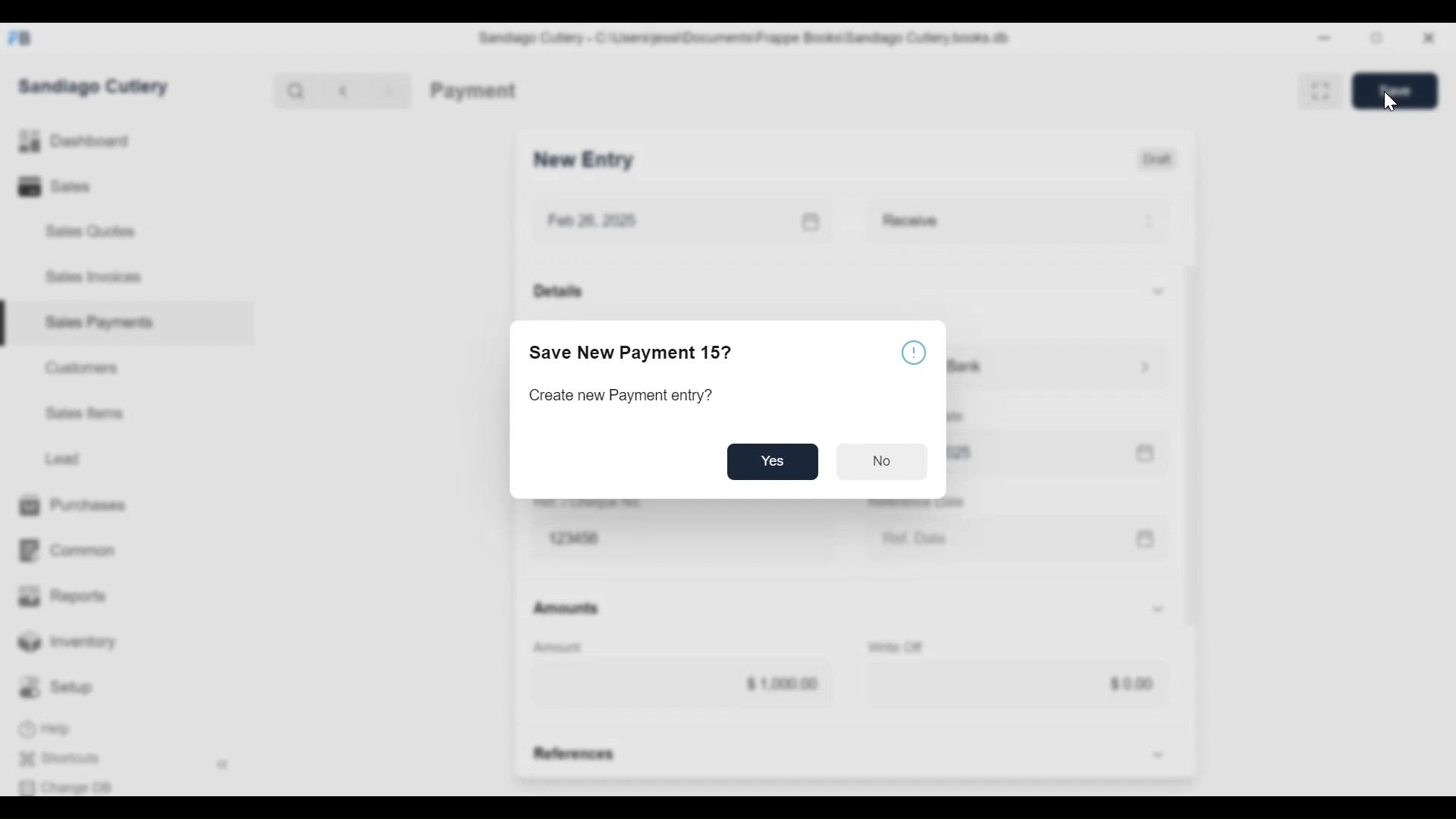 This screenshot has width=1456, height=819. What do you see at coordinates (773, 462) in the screenshot?
I see `Yes` at bounding box center [773, 462].